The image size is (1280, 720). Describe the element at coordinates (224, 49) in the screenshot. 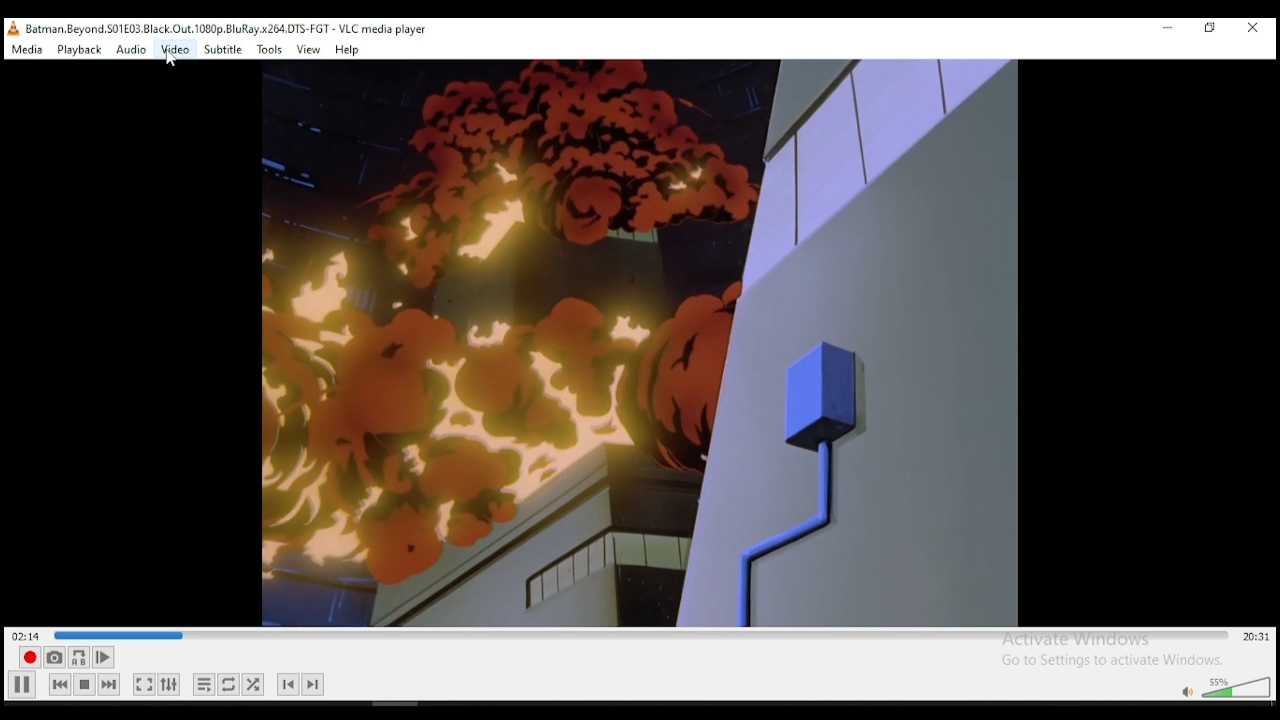

I see `subtitle` at that location.